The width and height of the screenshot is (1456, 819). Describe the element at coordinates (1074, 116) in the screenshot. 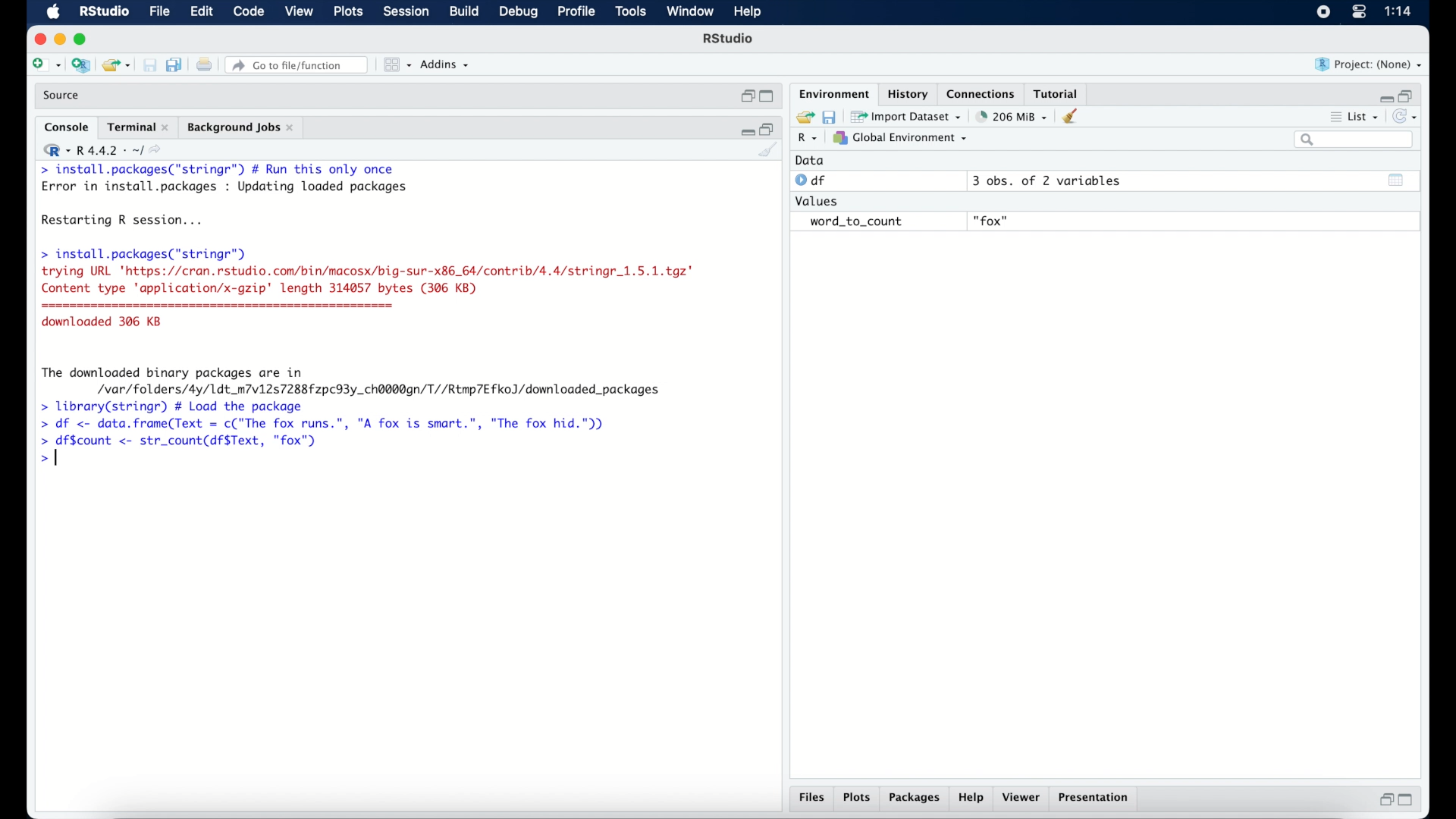

I see `clear console` at that location.